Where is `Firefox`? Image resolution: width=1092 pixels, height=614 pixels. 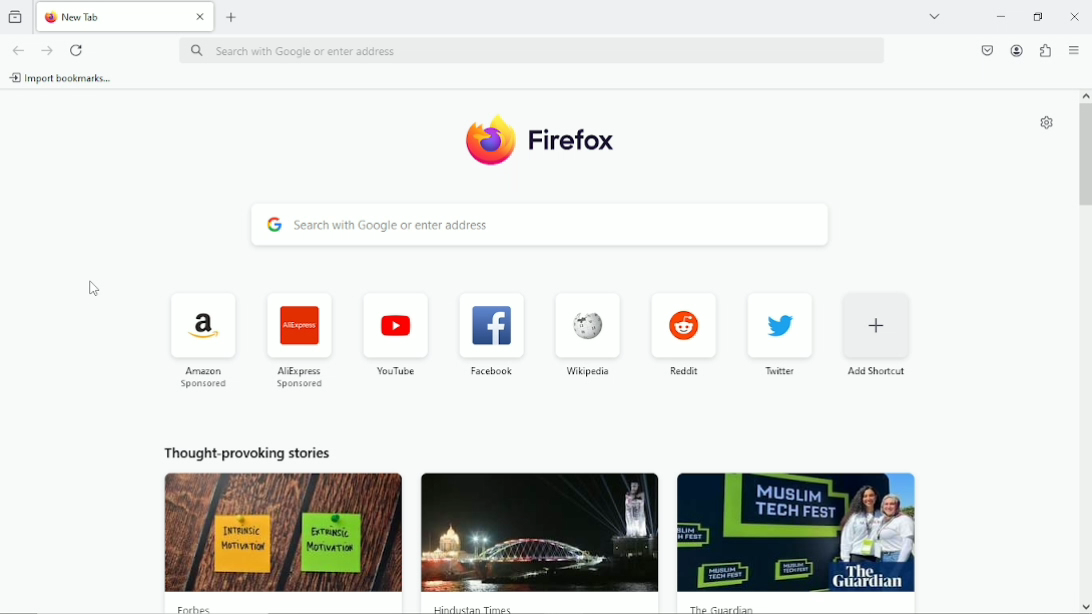 Firefox is located at coordinates (571, 143).